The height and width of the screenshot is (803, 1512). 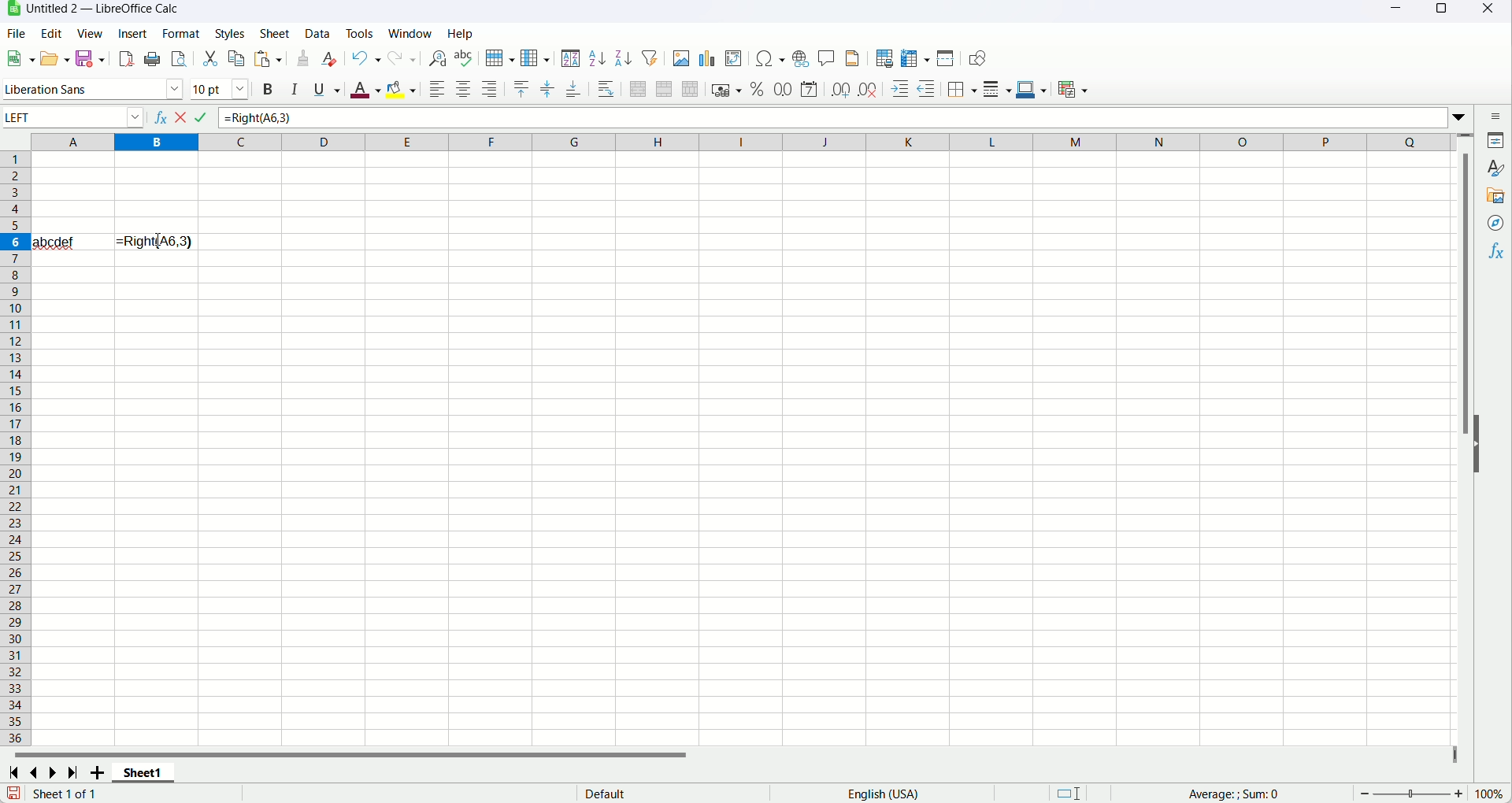 I want to click on Right (A6,3), so click(x=157, y=241).